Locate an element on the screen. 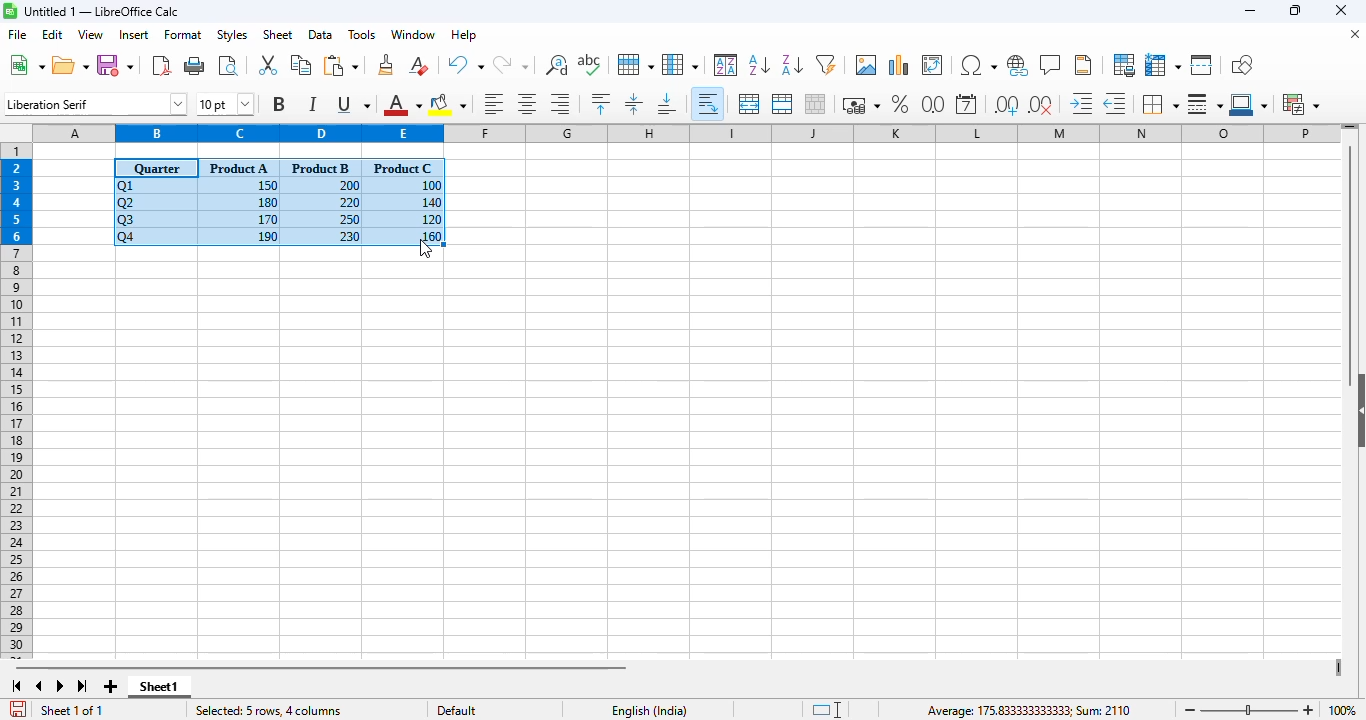  insert or edit pivot table is located at coordinates (933, 65).